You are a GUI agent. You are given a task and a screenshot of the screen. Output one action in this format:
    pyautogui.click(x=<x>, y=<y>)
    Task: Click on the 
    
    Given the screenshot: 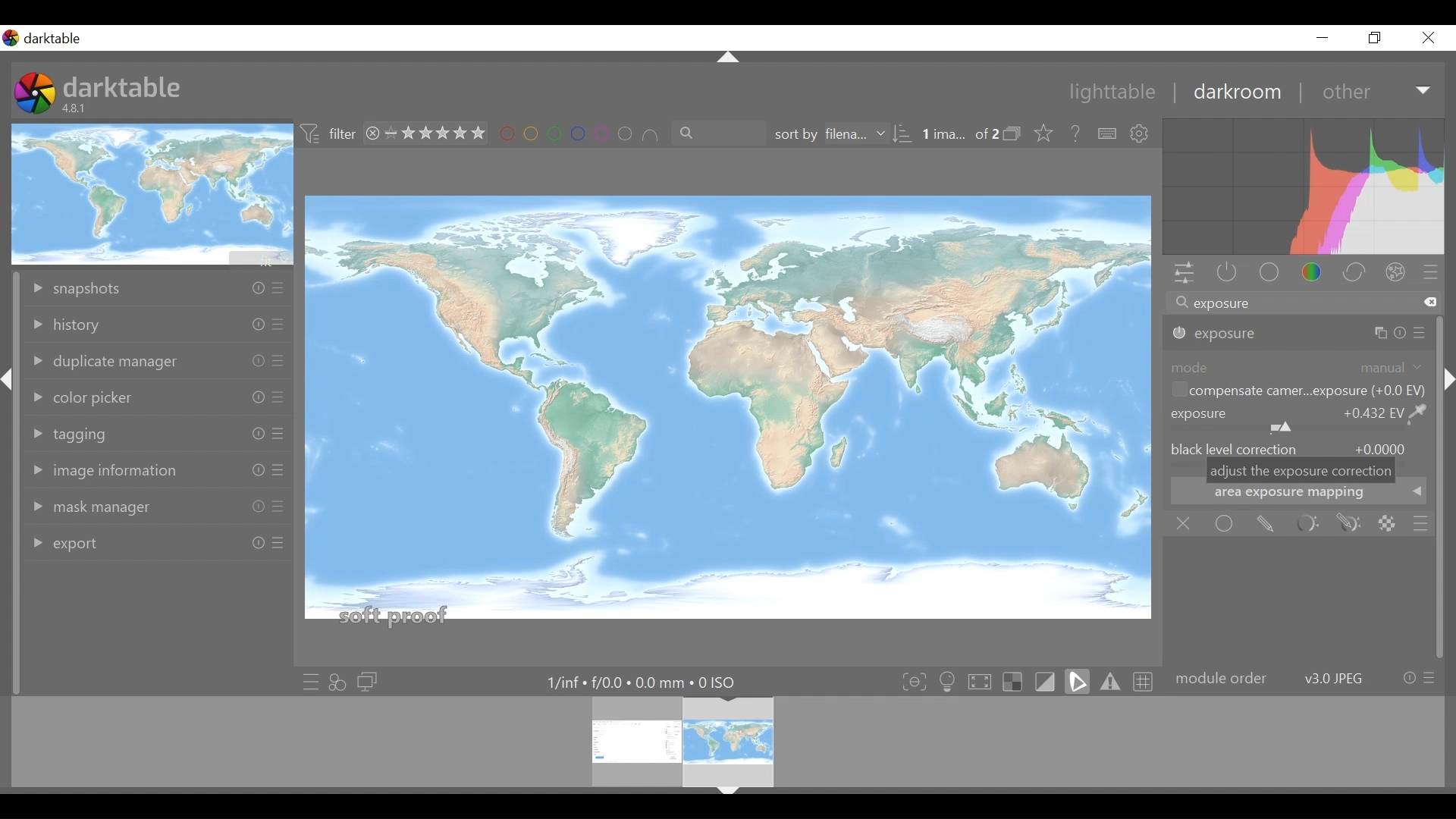 What is the action you would take?
    pyautogui.click(x=1445, y=383)
    